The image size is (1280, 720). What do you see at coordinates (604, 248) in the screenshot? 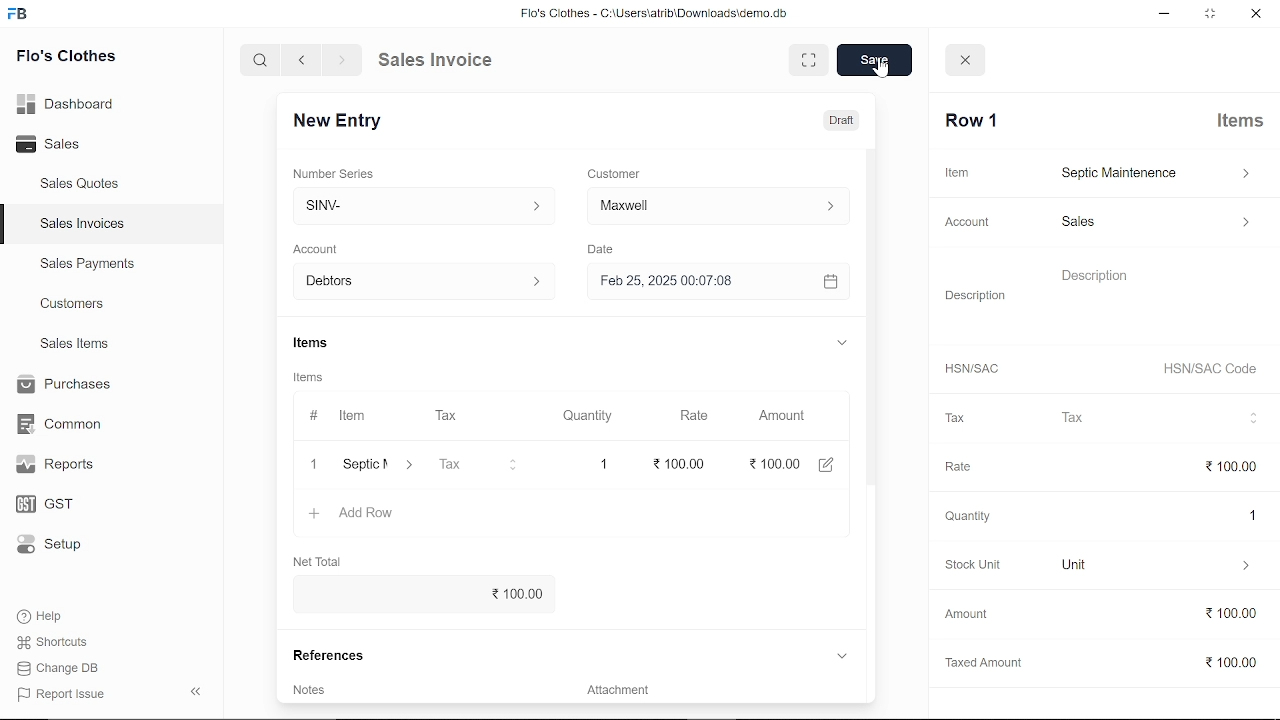
I see `Date` at bounding box center [604, 248].